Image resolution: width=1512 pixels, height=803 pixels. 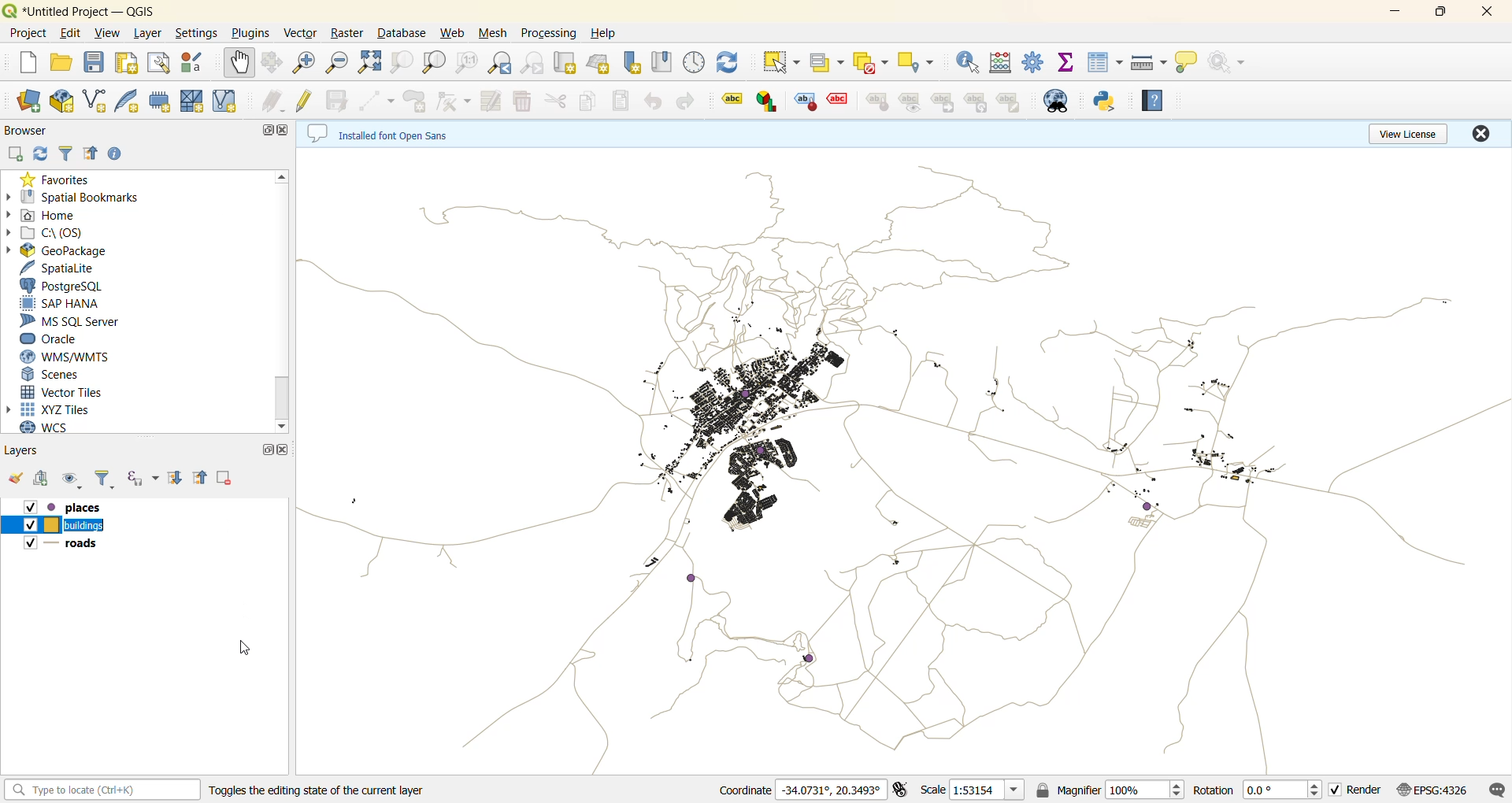 I want to click on save edits, so click(x=341, y=99).